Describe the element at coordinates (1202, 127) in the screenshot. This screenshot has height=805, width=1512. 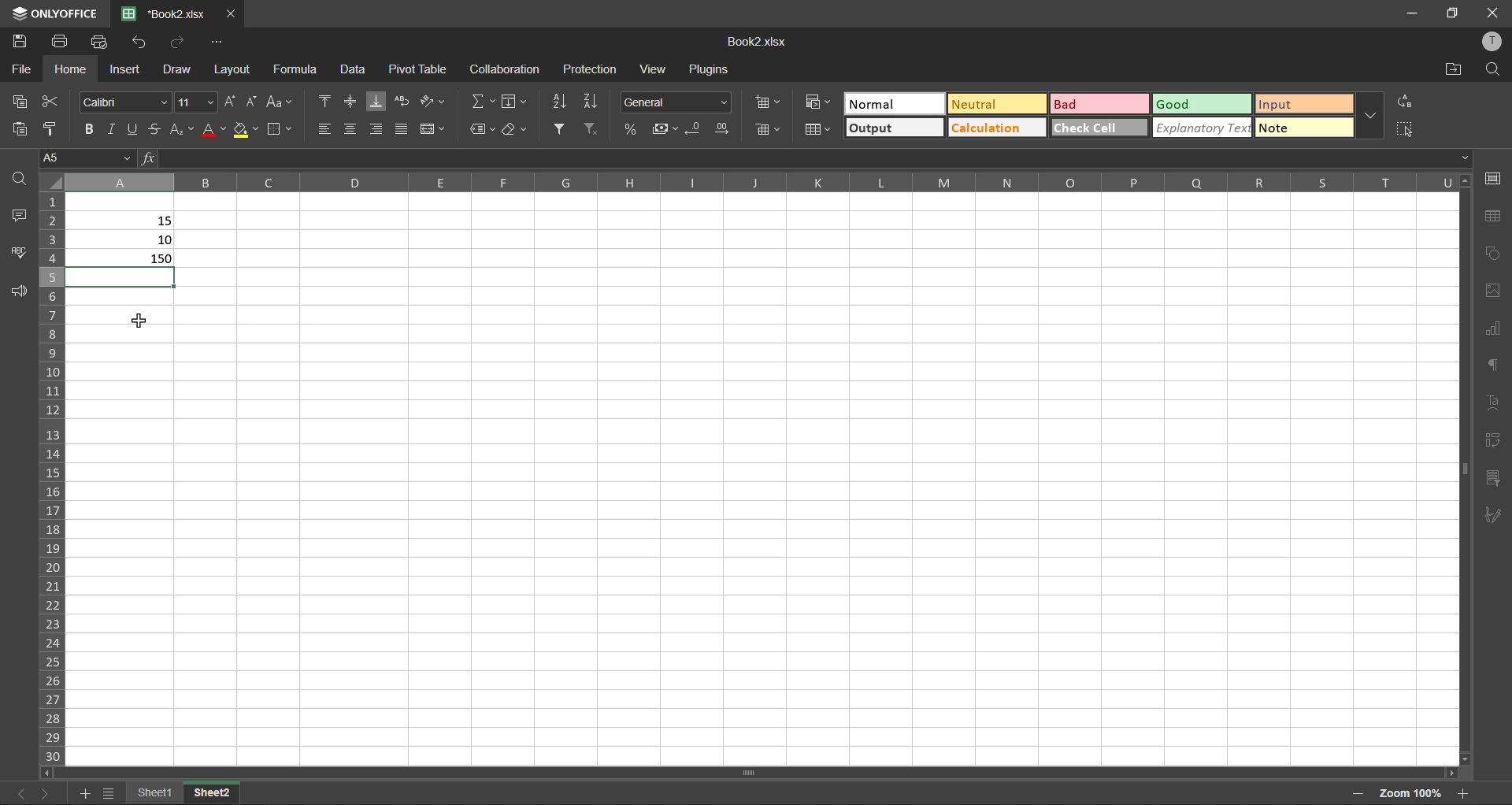
I see `explanatory text` at that location.